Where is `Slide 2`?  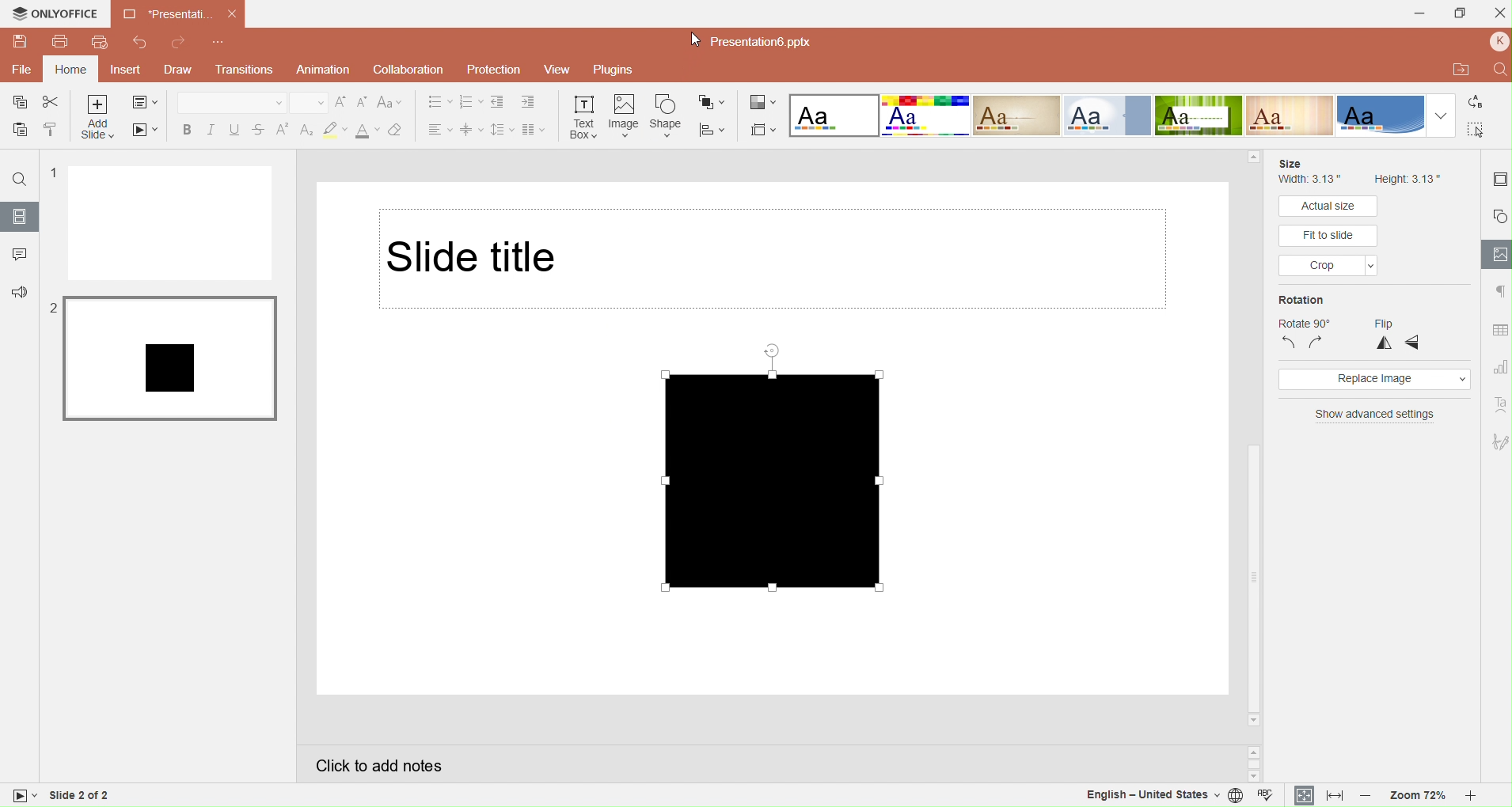 Slide 2 is located at coordinates (169, 358).